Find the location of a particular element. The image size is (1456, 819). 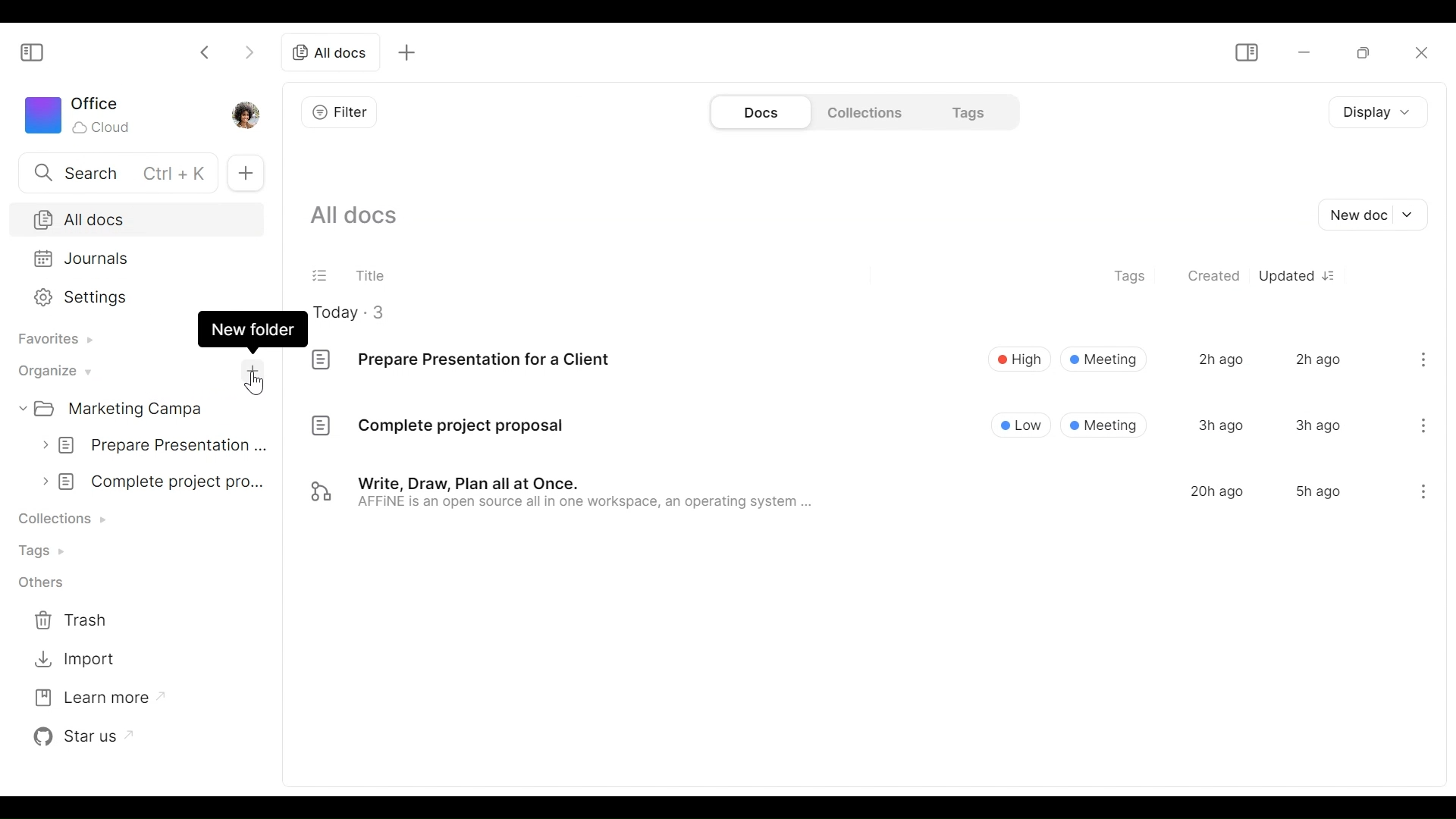

Import is located at coordinates (75, 659).